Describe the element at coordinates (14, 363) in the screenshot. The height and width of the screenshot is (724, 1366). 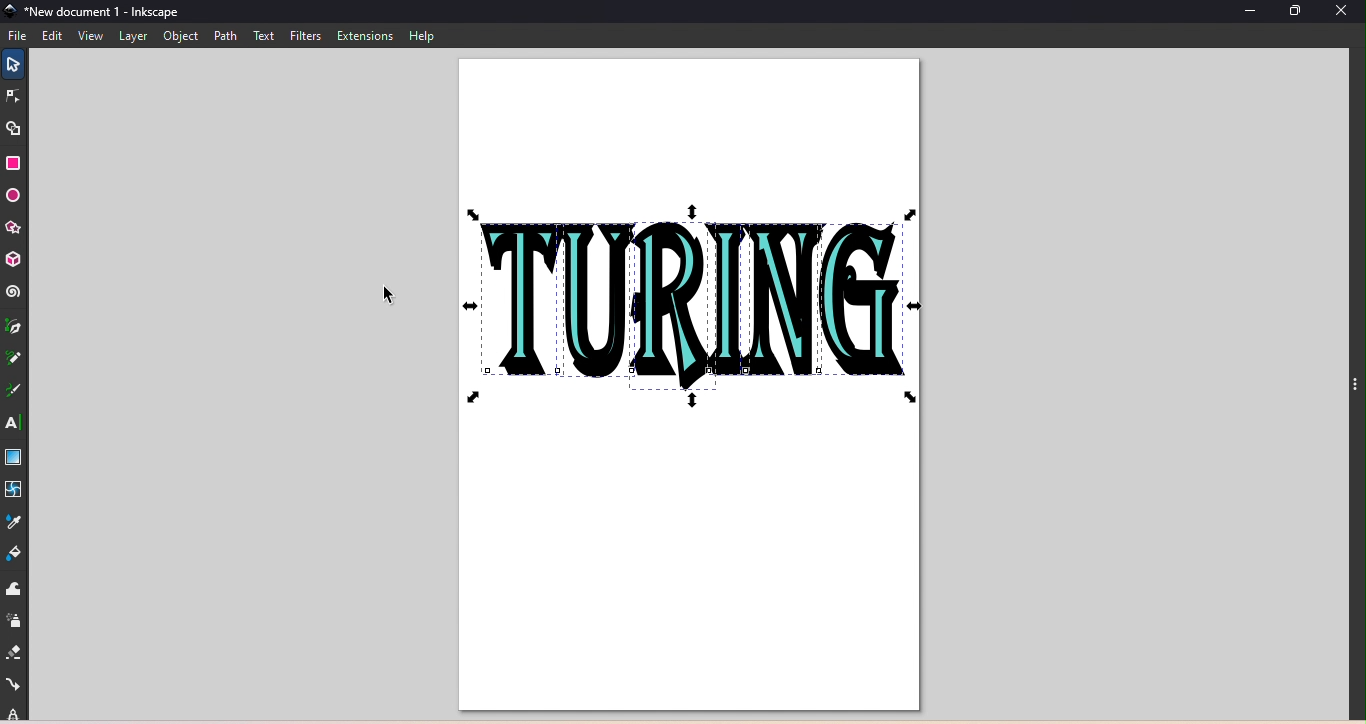
I see `Pencil tool` at that location.